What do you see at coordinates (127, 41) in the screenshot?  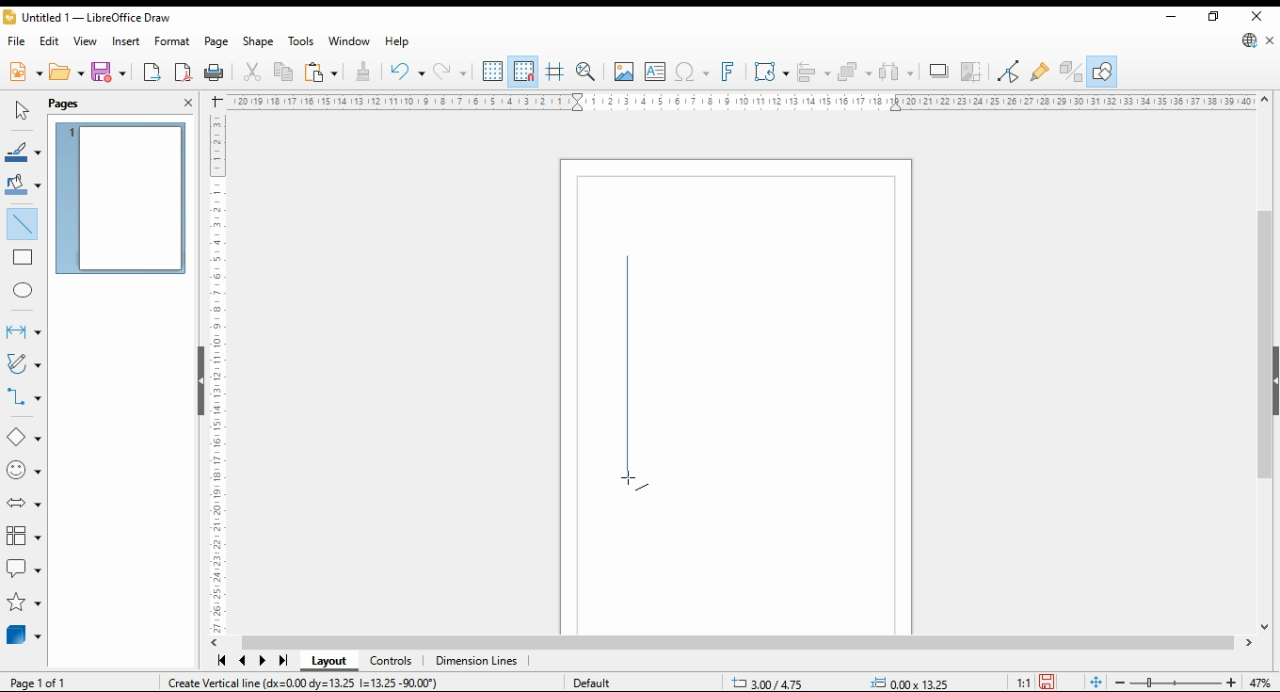 I see `insert` at bounding box center [127, 41].